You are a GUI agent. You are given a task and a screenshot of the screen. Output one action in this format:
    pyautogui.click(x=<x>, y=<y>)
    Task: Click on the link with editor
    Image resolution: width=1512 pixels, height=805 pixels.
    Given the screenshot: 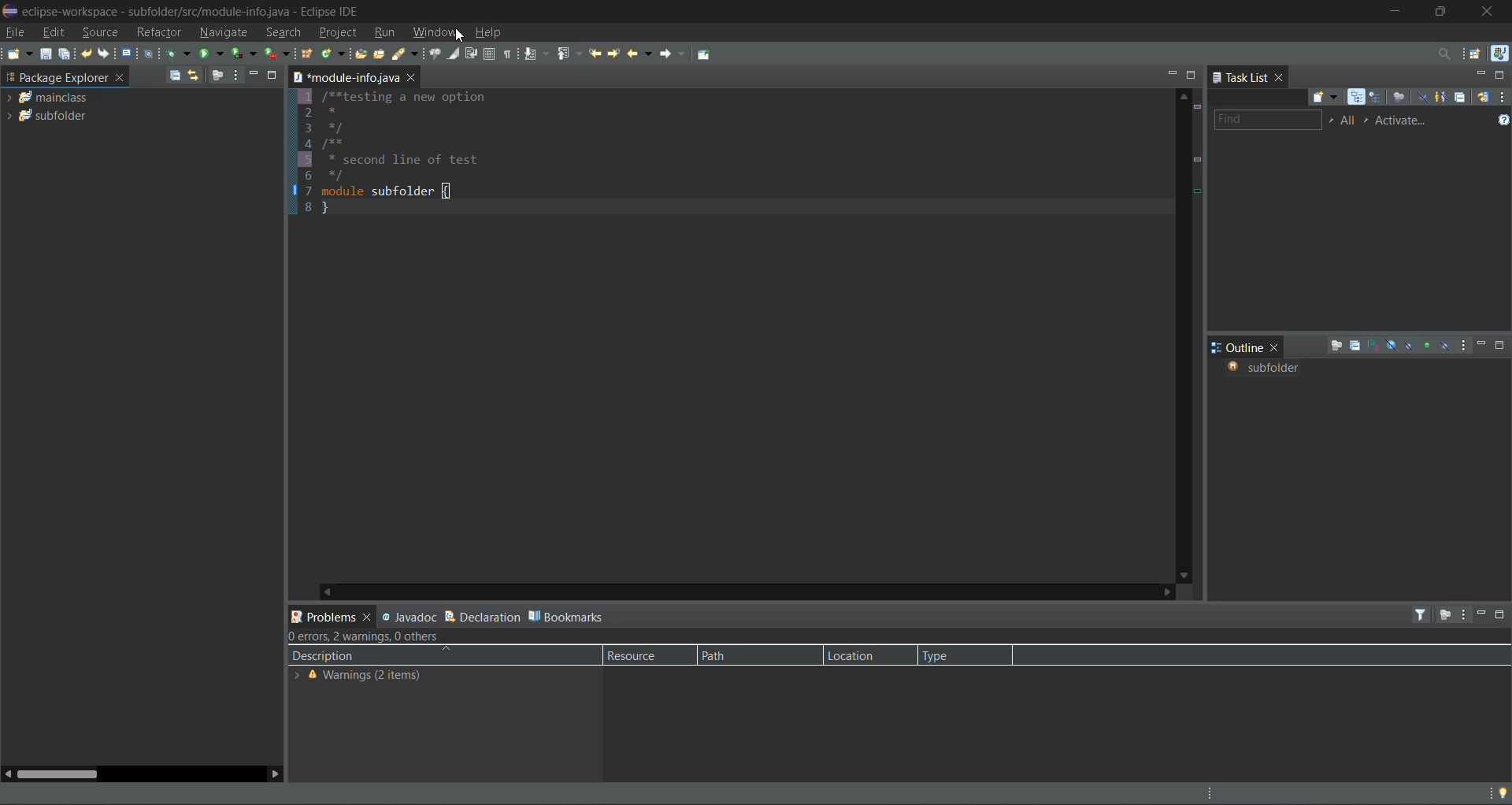 What is the action you would take?
    pyautogui.click(x=194, y=75)
    